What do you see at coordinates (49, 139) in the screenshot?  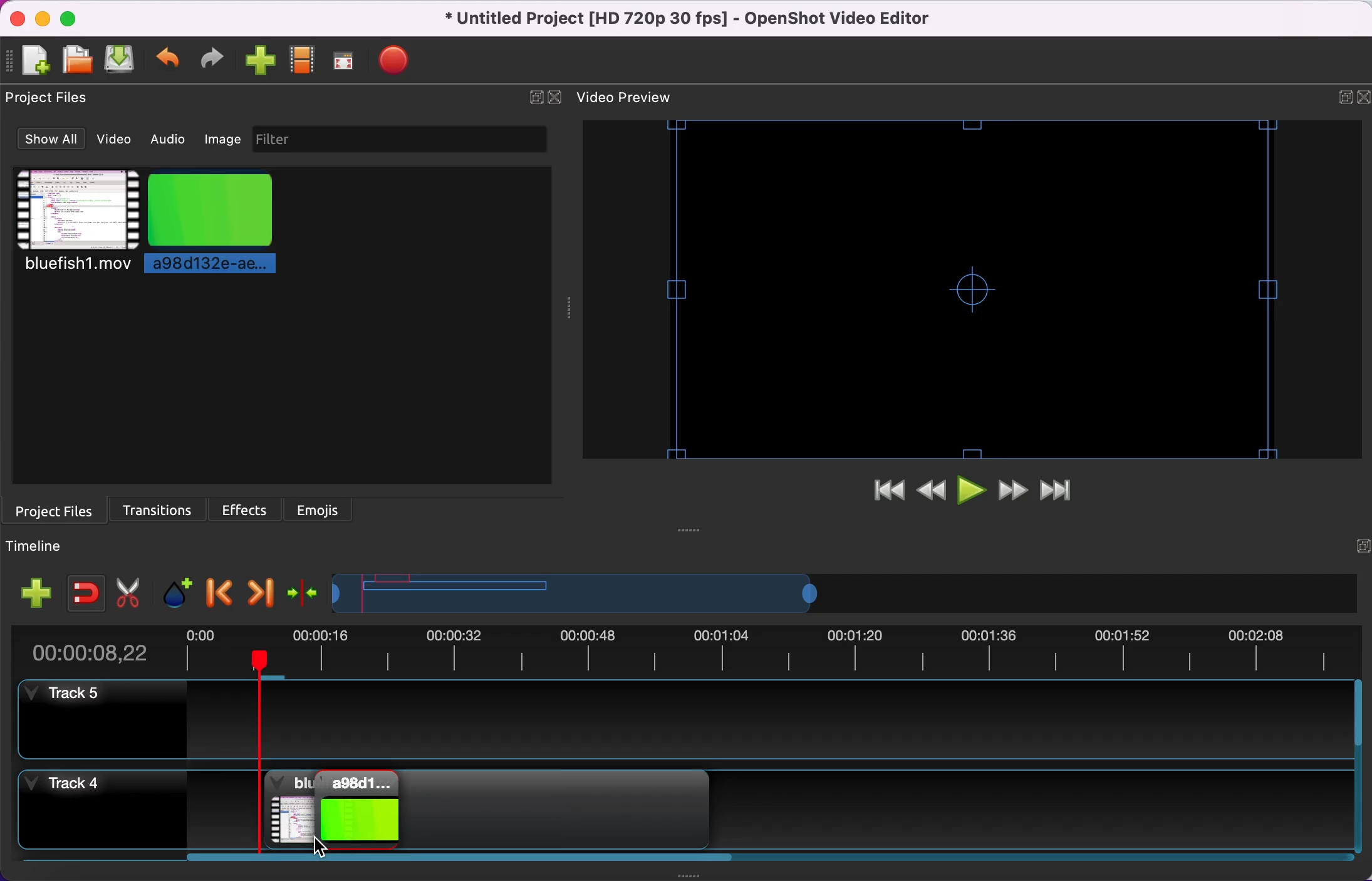 I see `show all` at bounding box center [49, 139].